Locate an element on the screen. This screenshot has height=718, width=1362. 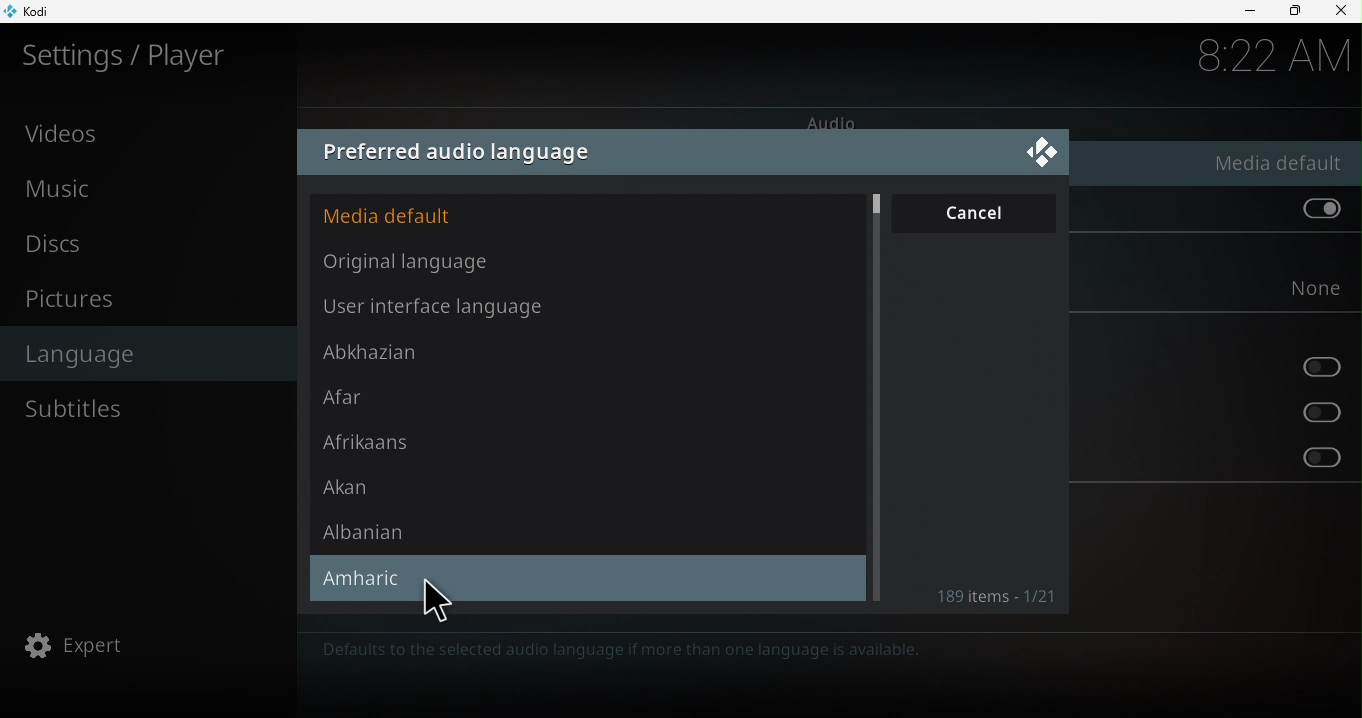
Prefer subtitles for the hearing impaired is located at coordinates (1304, 458).